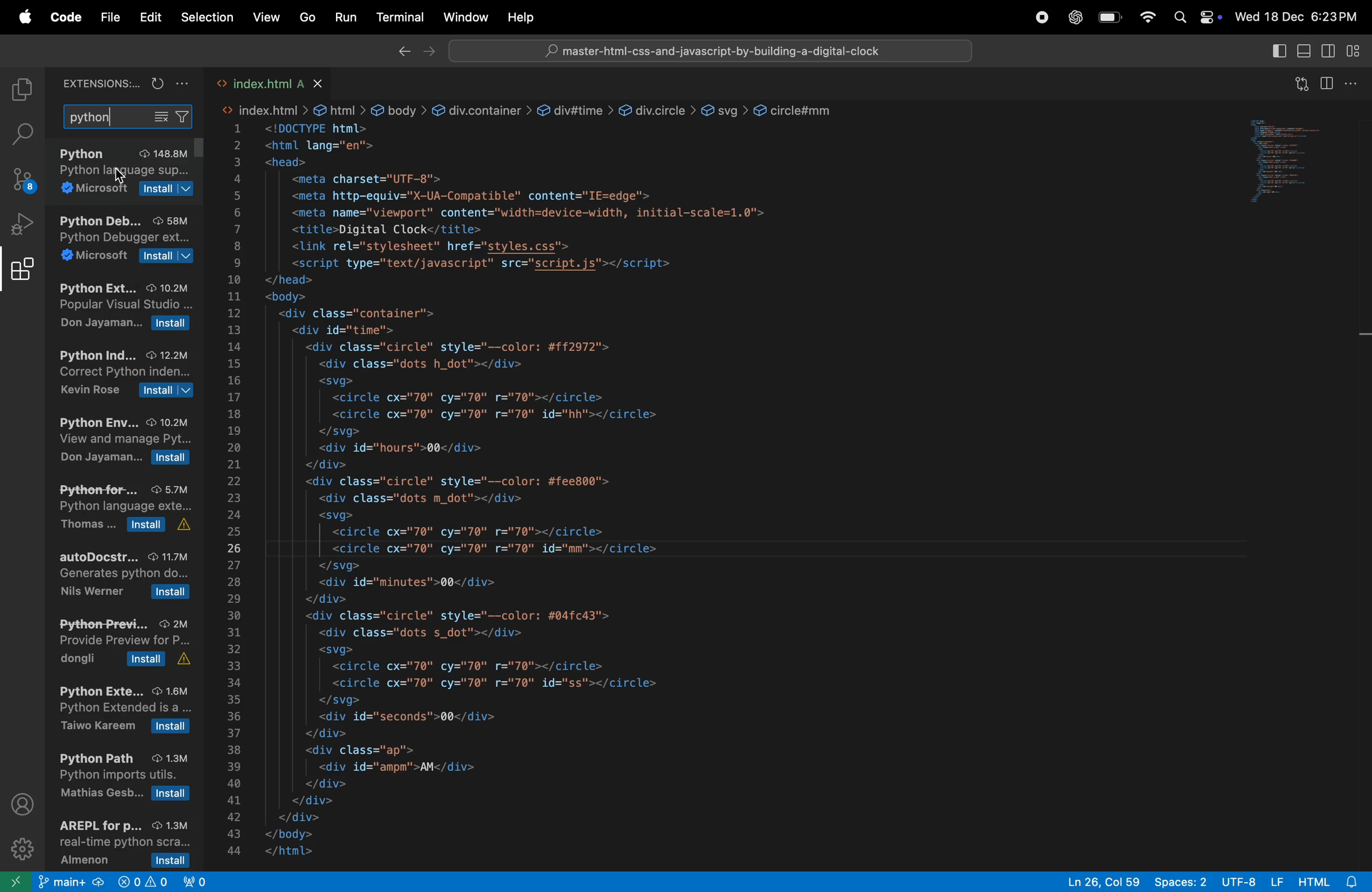 This screenshot has width=1372, height=892. Describe the element at coordinates (184, 83) in the screenshot. I see `options` at that location.